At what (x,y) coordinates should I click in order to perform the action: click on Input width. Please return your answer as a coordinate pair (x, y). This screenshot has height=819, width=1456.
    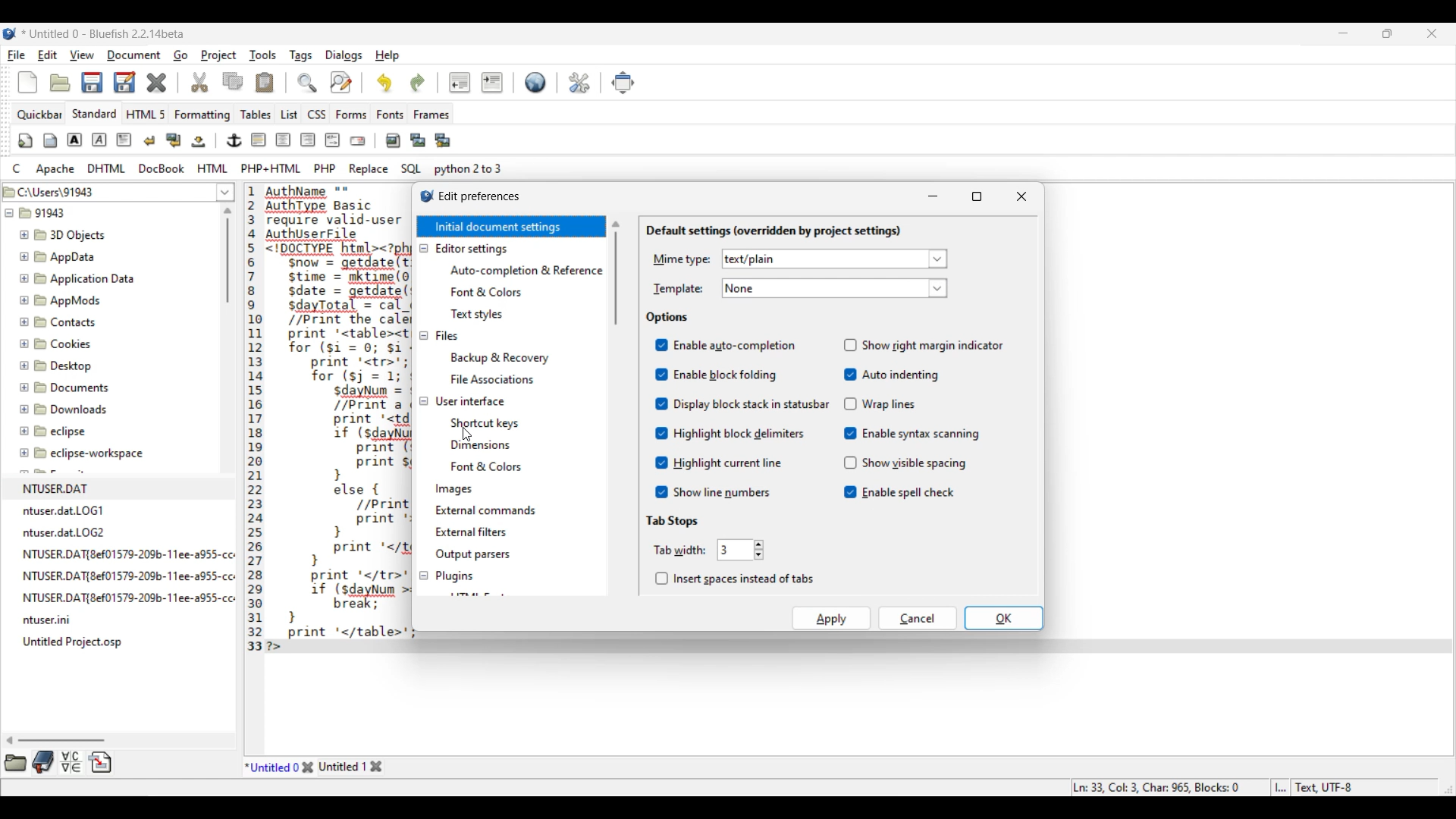
    Looking at the image, I should click on (735, 550).